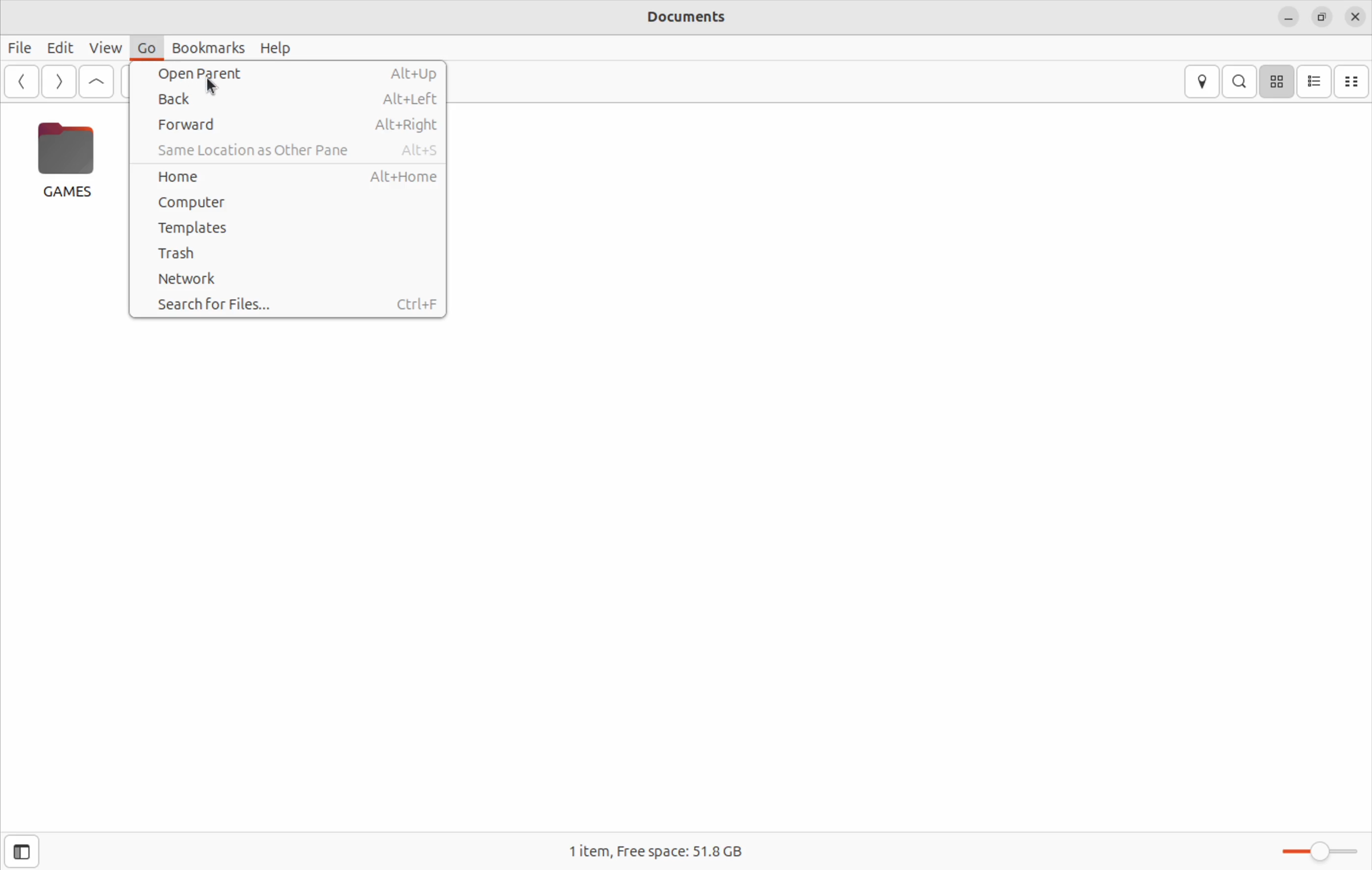 The width and height of the screenshot is (1372, 870). I want to click on Go, so click(144, 48).